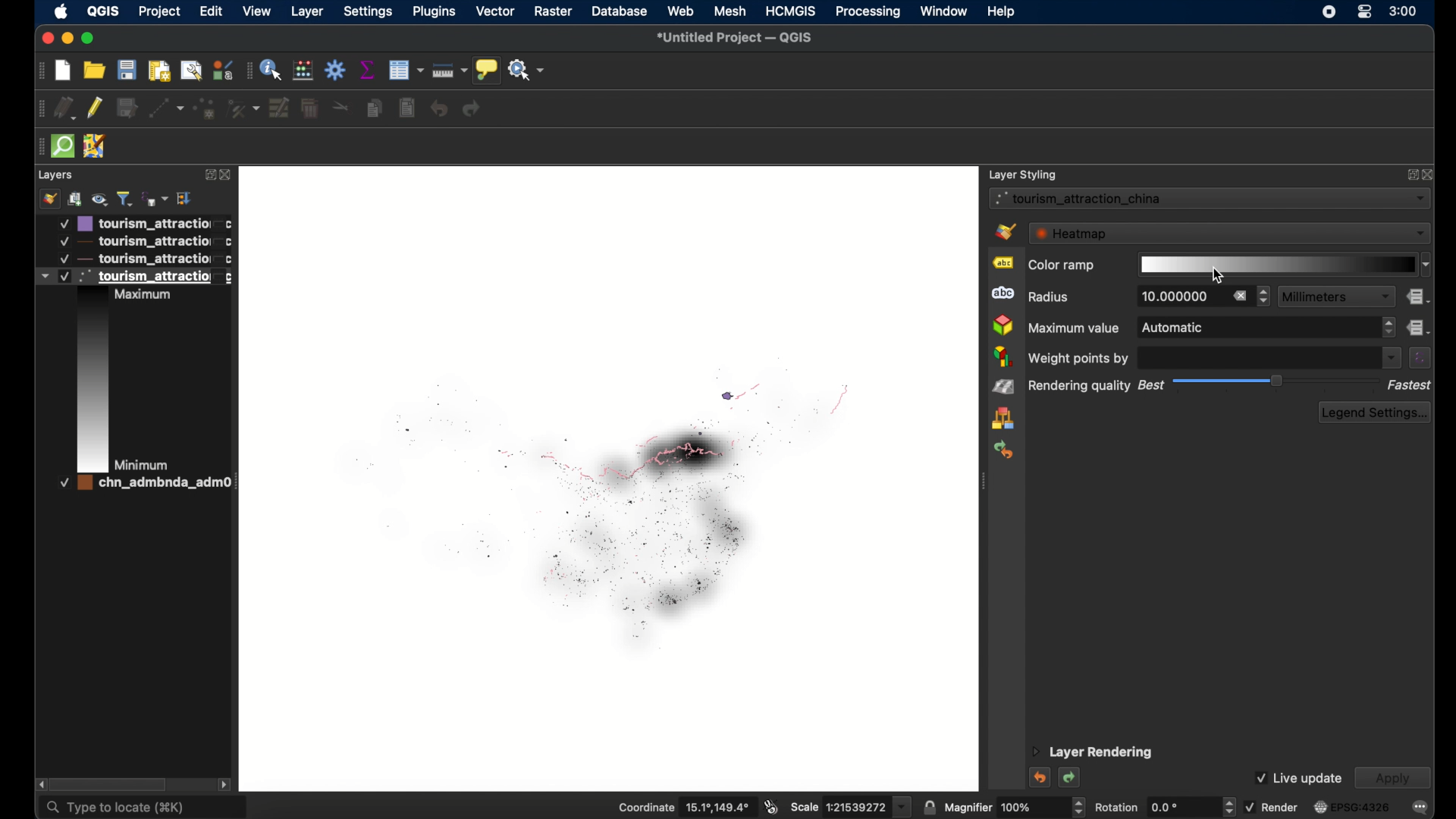 The image size is (1456, 819). What do you see at coordinates (207, 175) in the screenshot?
I see `expand` at bounding box center [207, 175].